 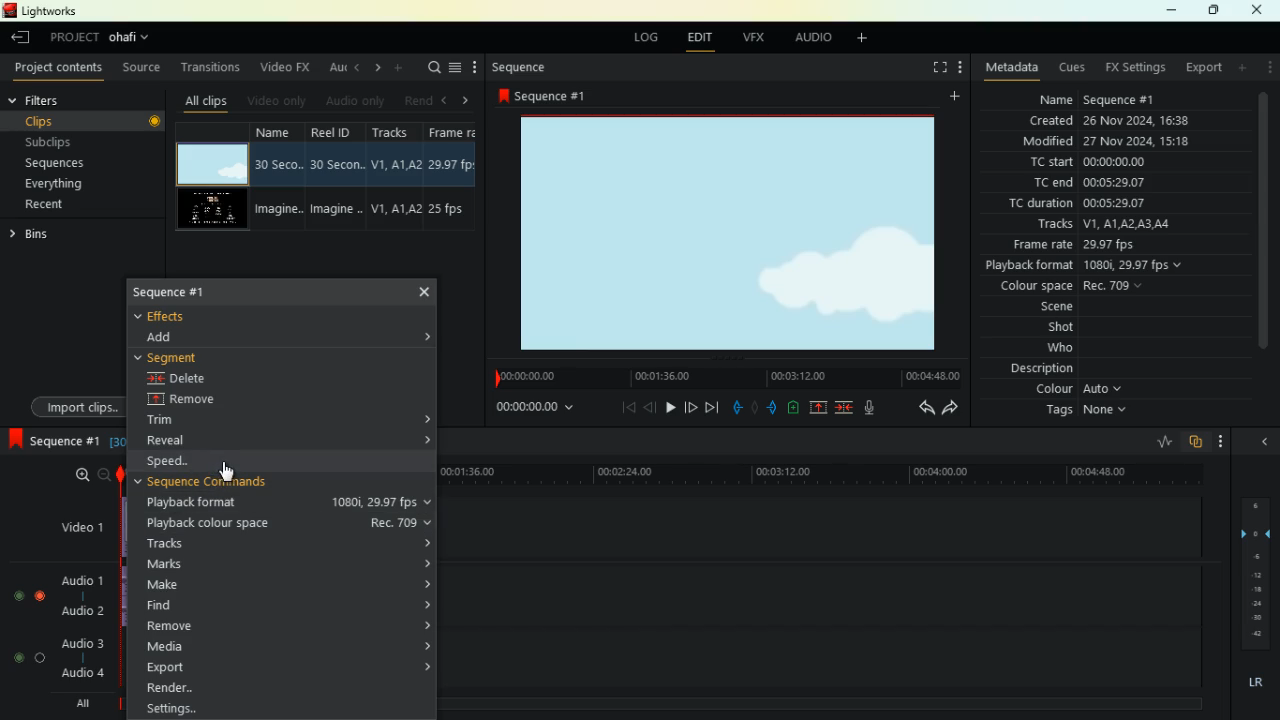 I want to click on audio4, so click(x=86, y=672).